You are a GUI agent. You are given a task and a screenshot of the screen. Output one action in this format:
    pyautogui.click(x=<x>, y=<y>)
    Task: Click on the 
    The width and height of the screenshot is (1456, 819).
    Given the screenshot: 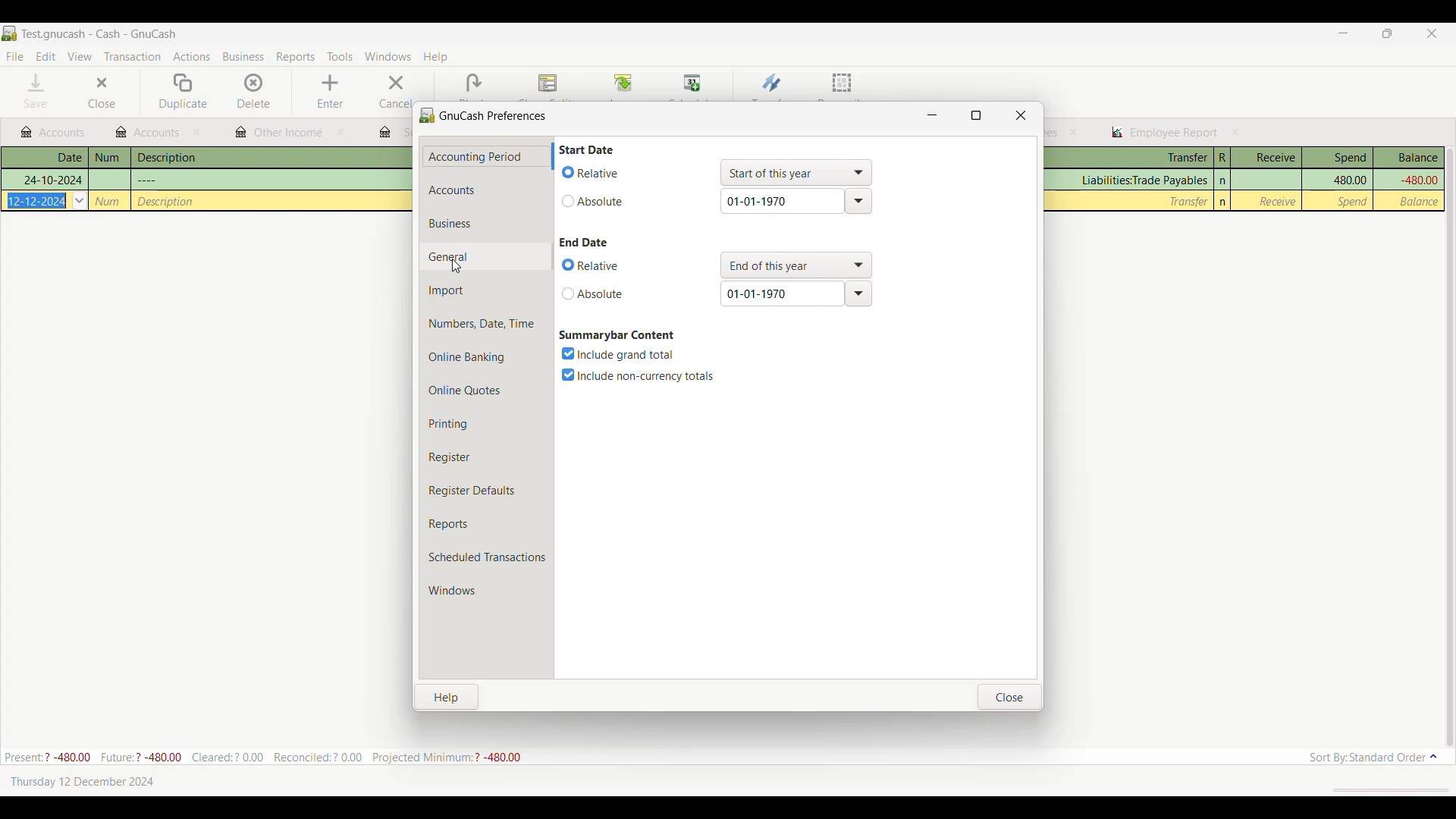 What is the action you would take?
    pyautogui.click(x=52, y=180)
    